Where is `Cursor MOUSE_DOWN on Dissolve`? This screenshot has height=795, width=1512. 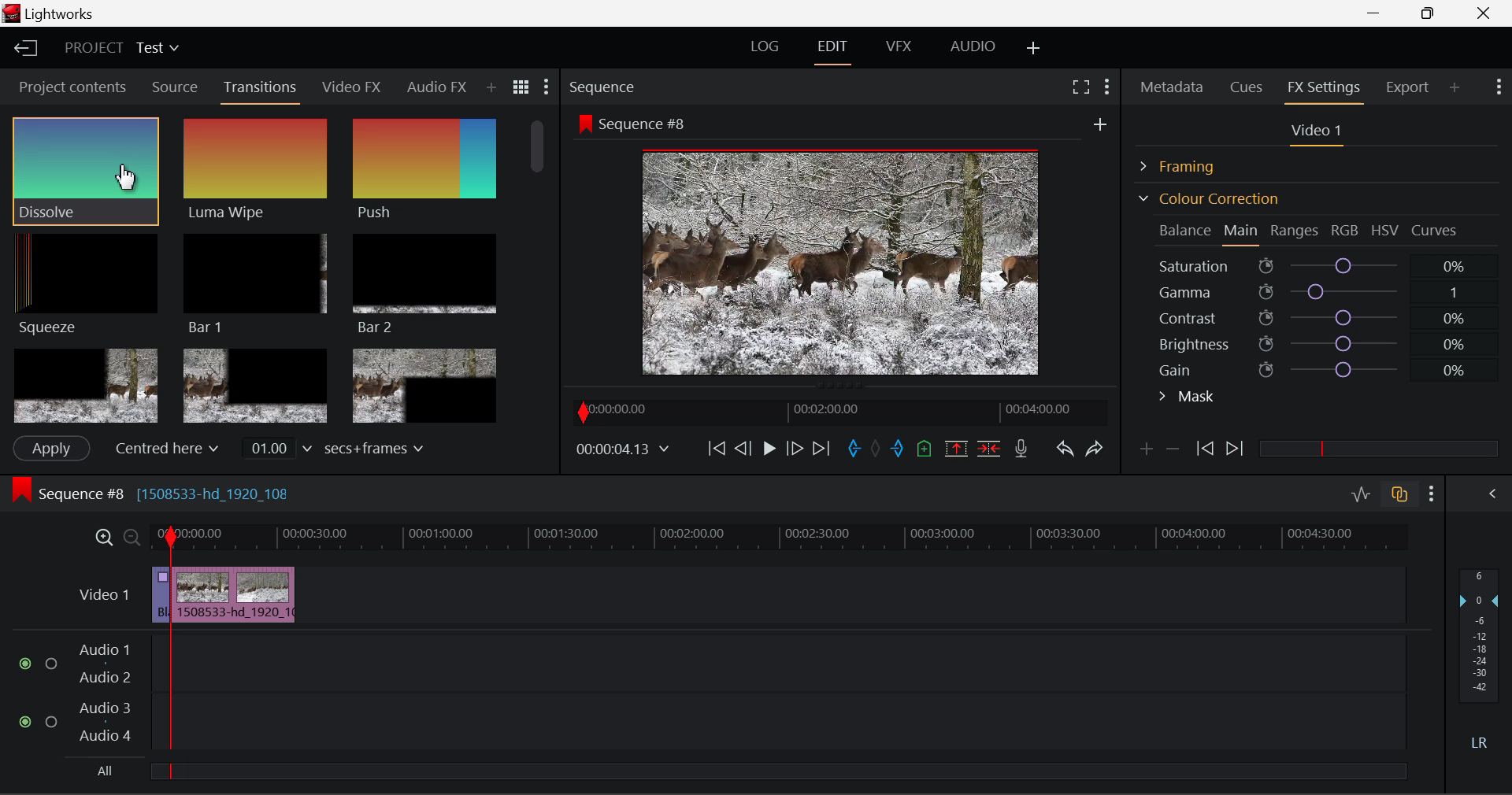
Cursor MOUSE_DOWN on Dissolve is located at coordinates (85, 170).